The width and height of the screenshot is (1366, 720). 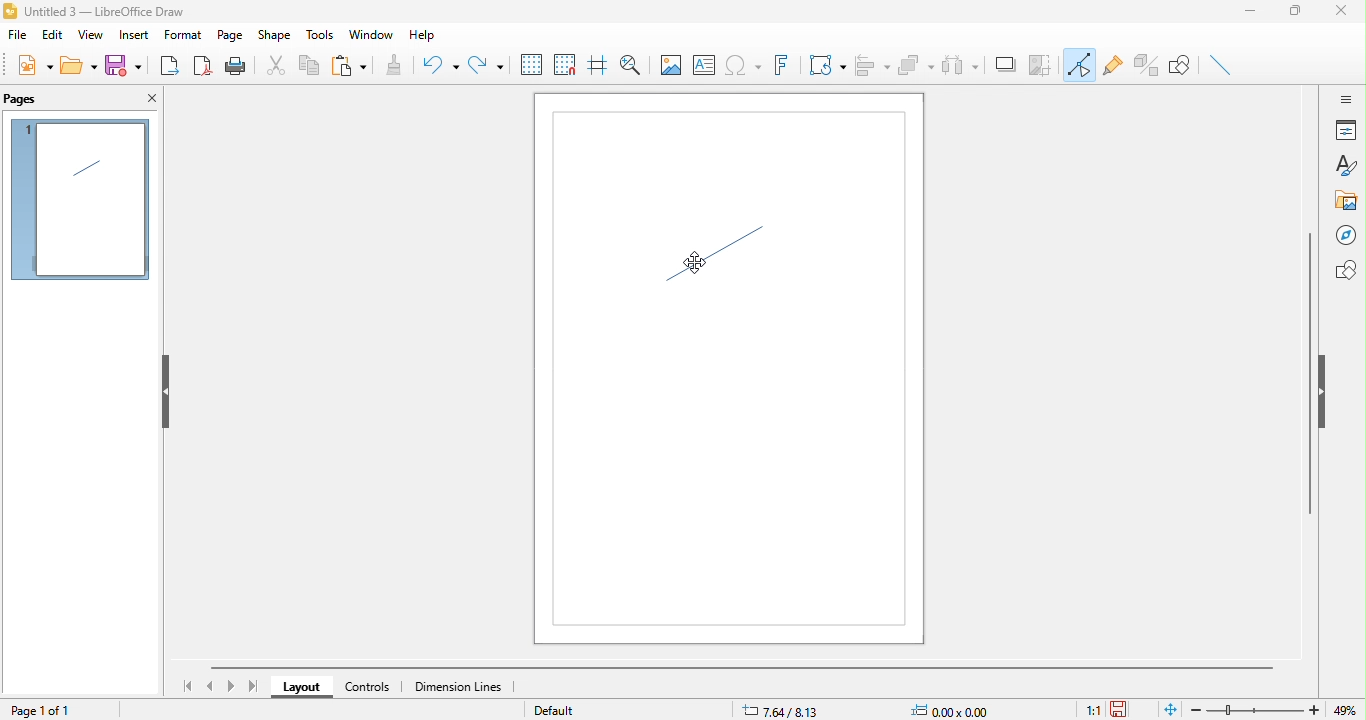 What do you see at coordinates (96, 10) in the screenshot?
I see `Untitled 3 - LibreOffice Draw` at bounding box center [96, 10].